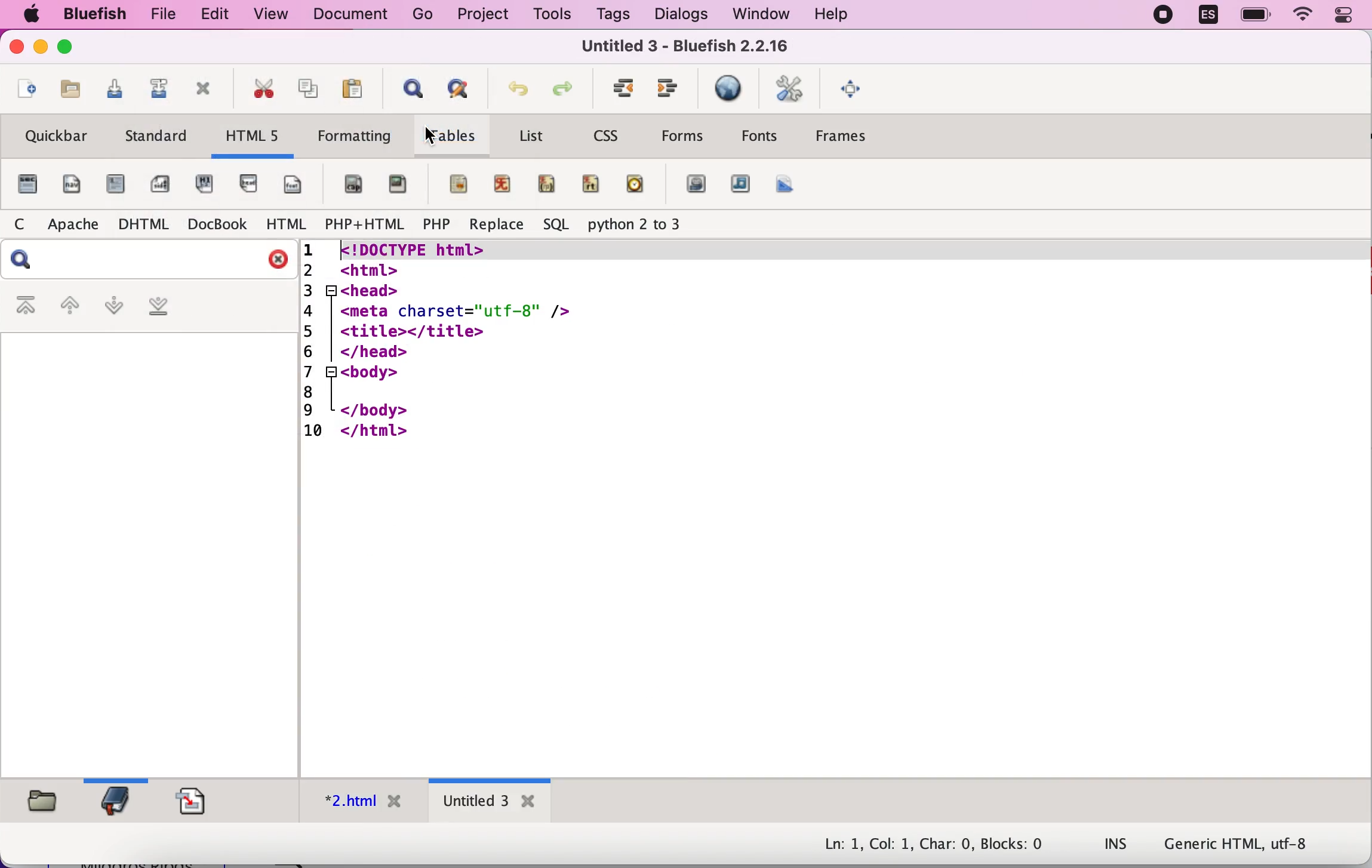 This screenshot has width=1372, height=868. What do you see at coordinates (676, 16) in the screenshot?
I see `dialogs` at bounding box center [676, 16].